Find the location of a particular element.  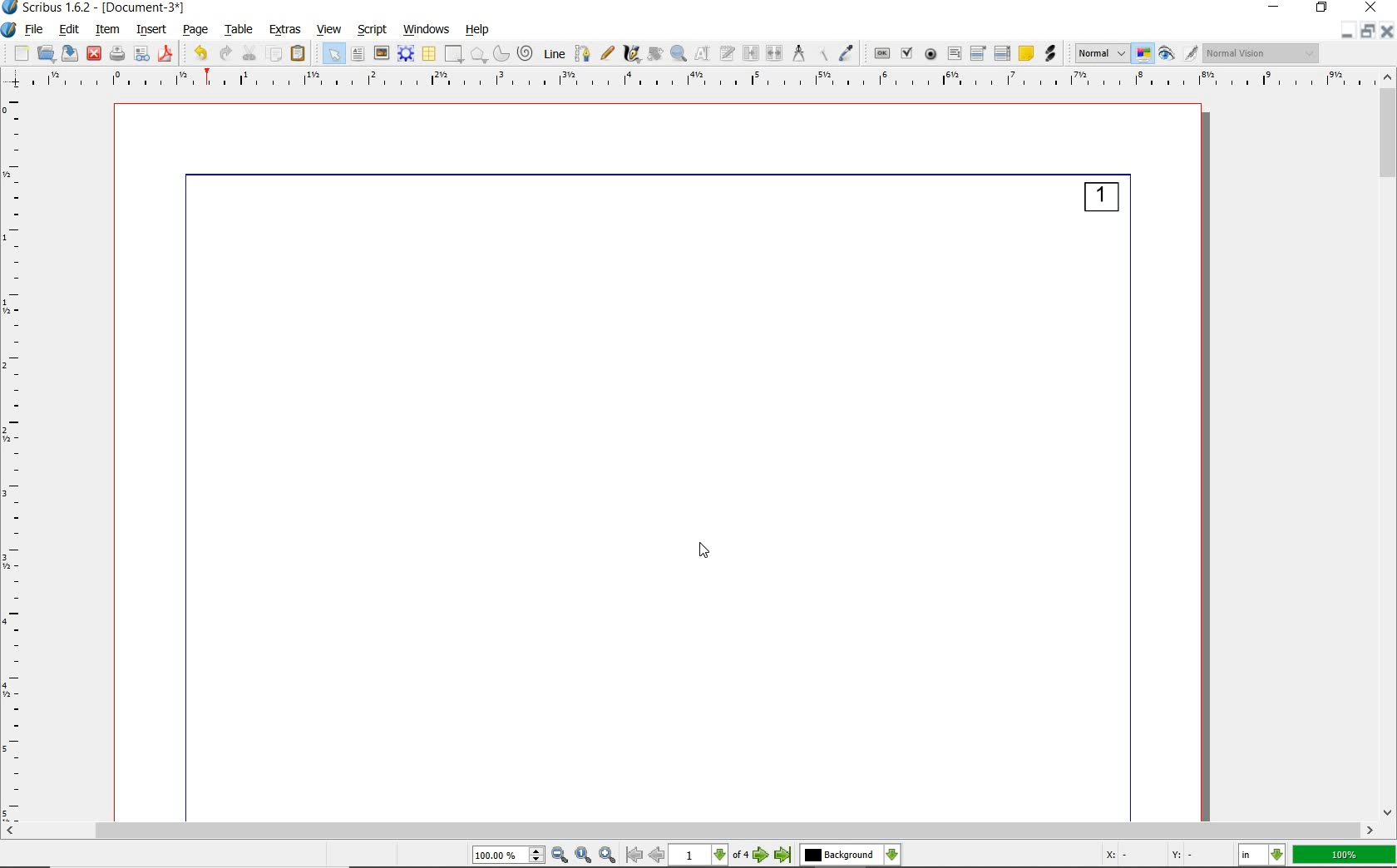

Bezier curve is located at coordinates (583, 53).